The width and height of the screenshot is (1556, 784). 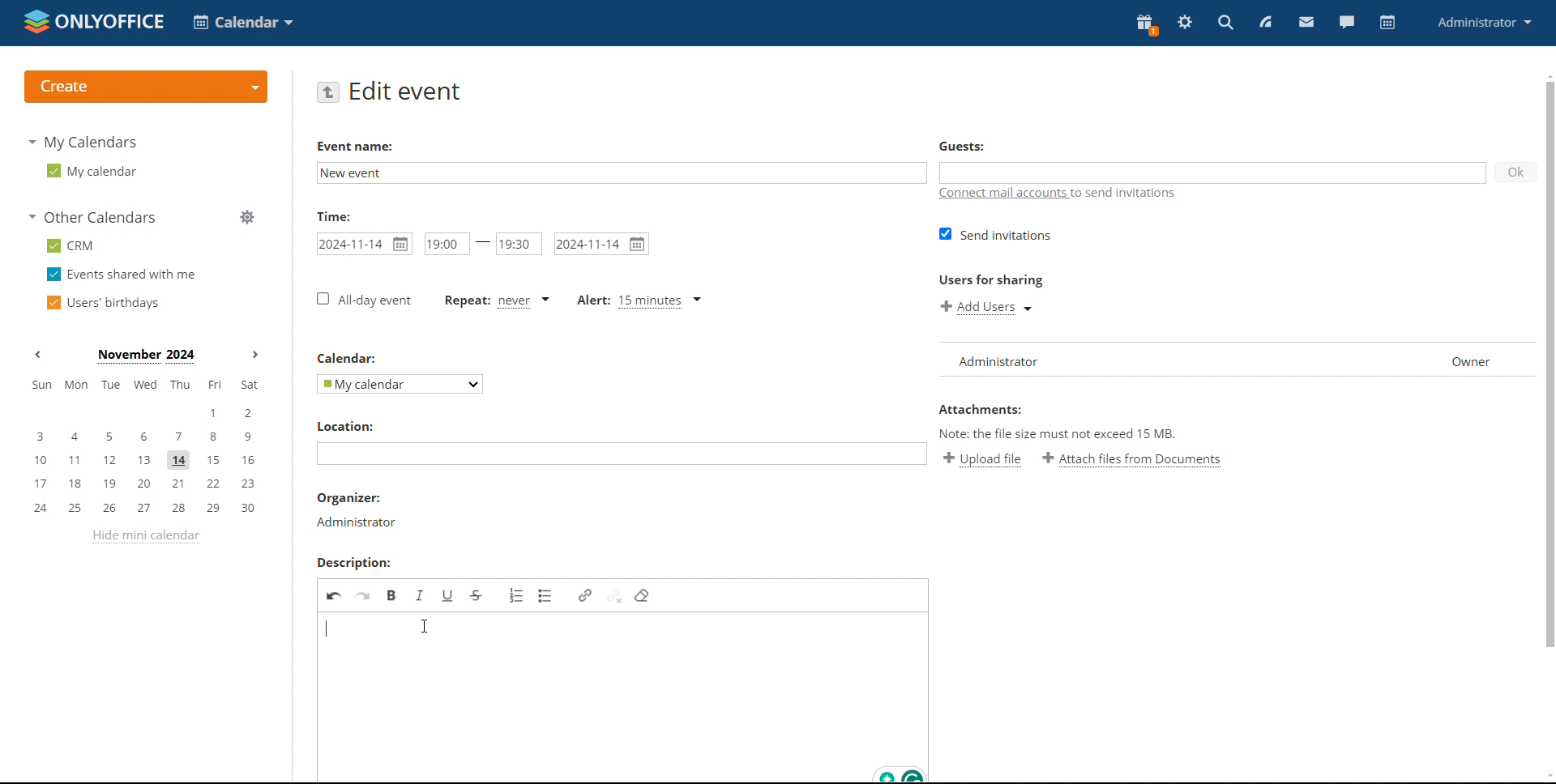 What do you see at coordinates (123, 275) in the screenshot?
I see `events shared with me` at bounding box center [123, 275].